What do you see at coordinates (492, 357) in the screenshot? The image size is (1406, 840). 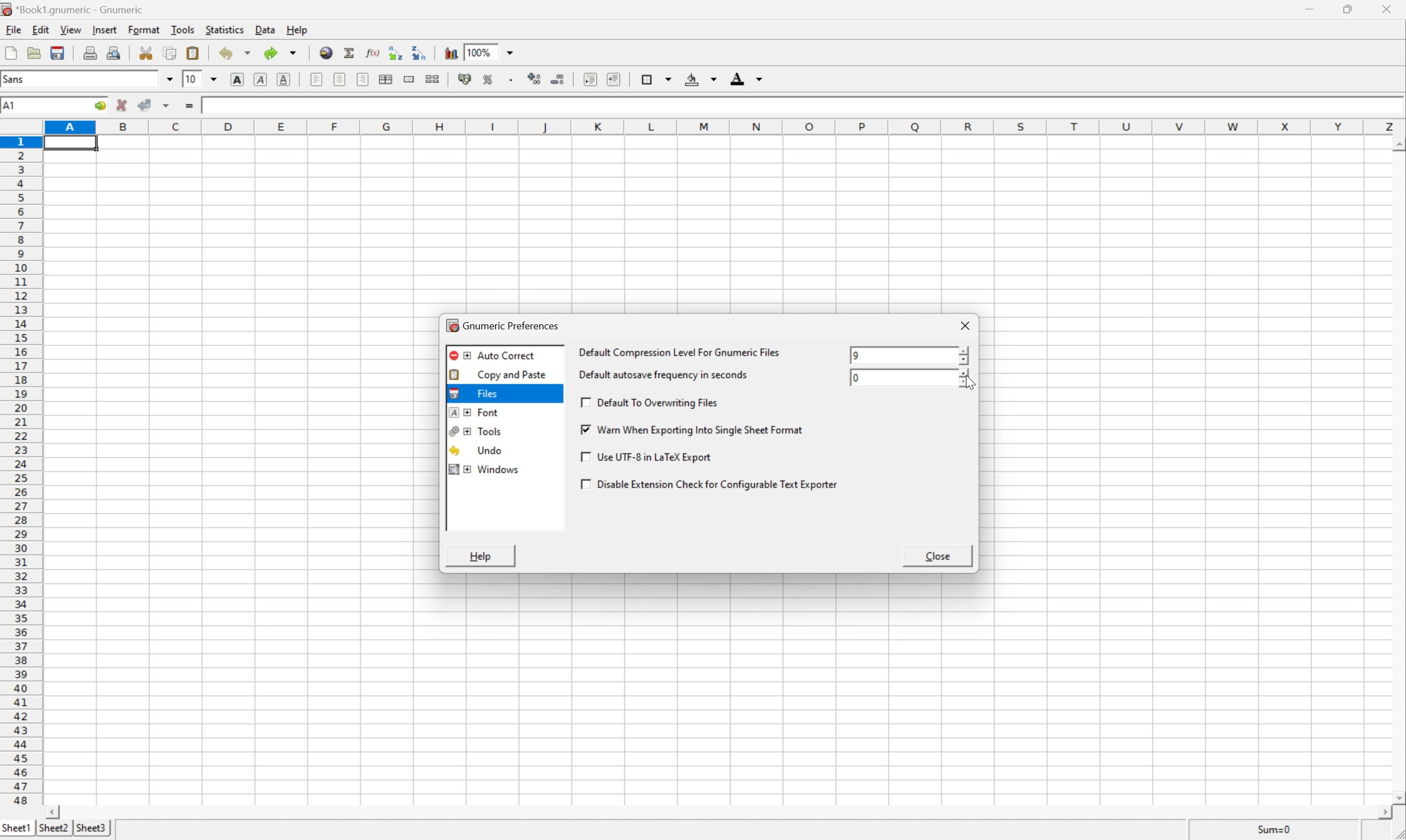 I see `auto correct` at bounding box center [492, 357].